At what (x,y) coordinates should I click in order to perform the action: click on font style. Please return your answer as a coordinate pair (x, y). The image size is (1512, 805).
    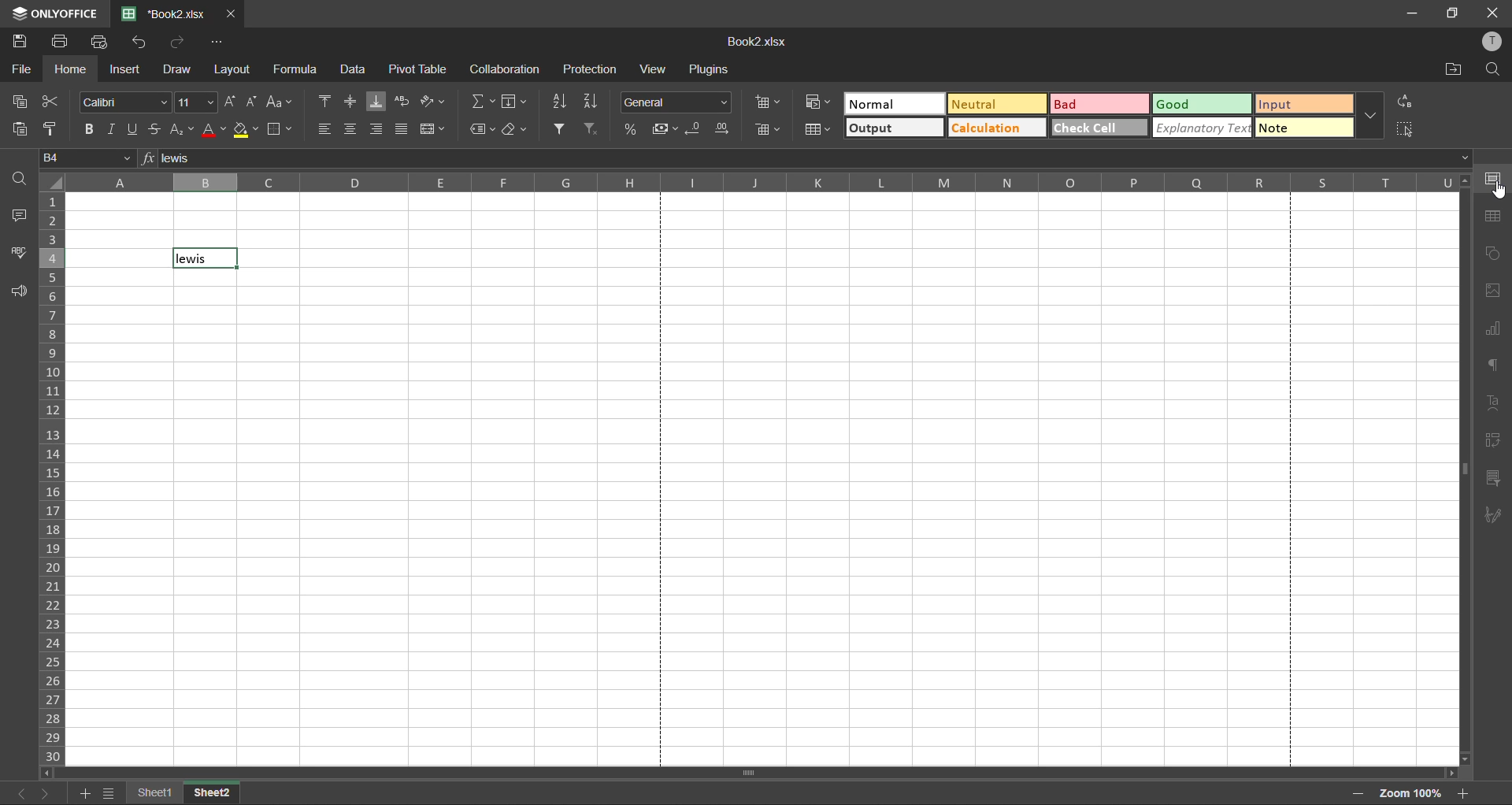
    Looking at the image, I should click on (123, 104).